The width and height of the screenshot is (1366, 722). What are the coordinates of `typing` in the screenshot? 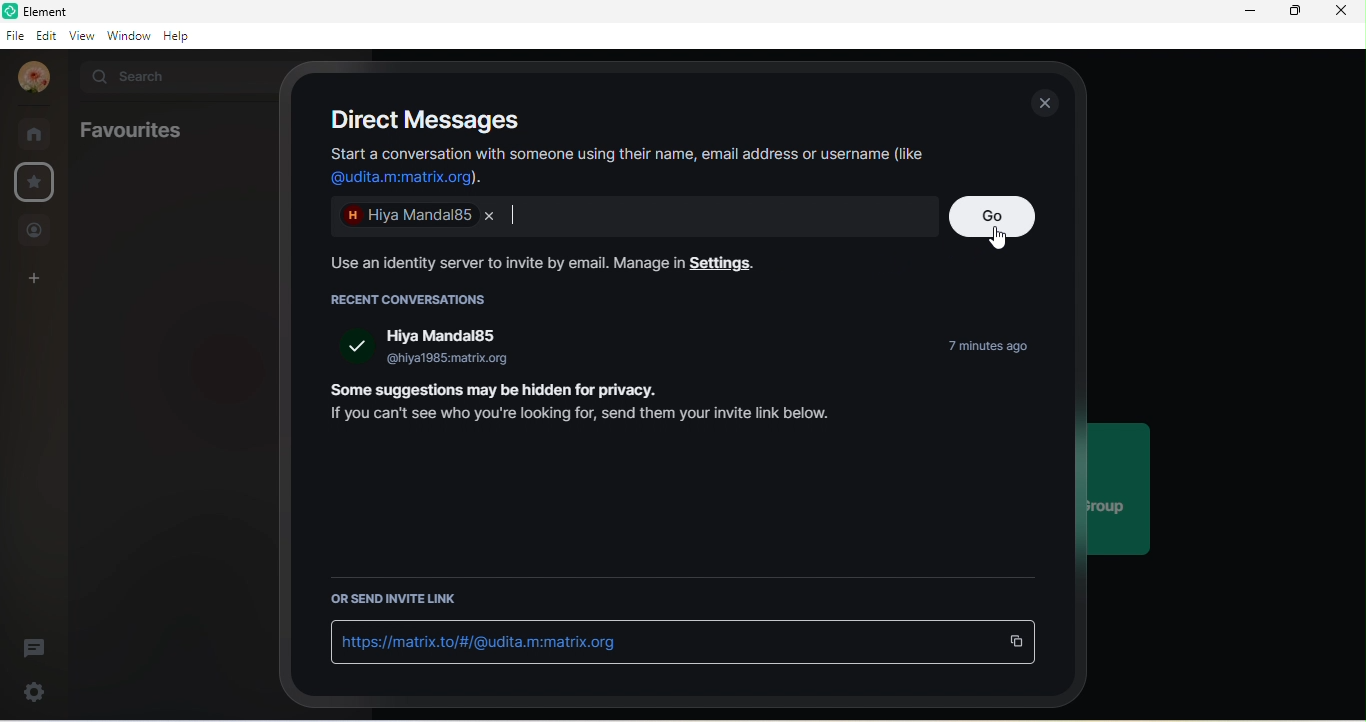 It's located at (512, 215).